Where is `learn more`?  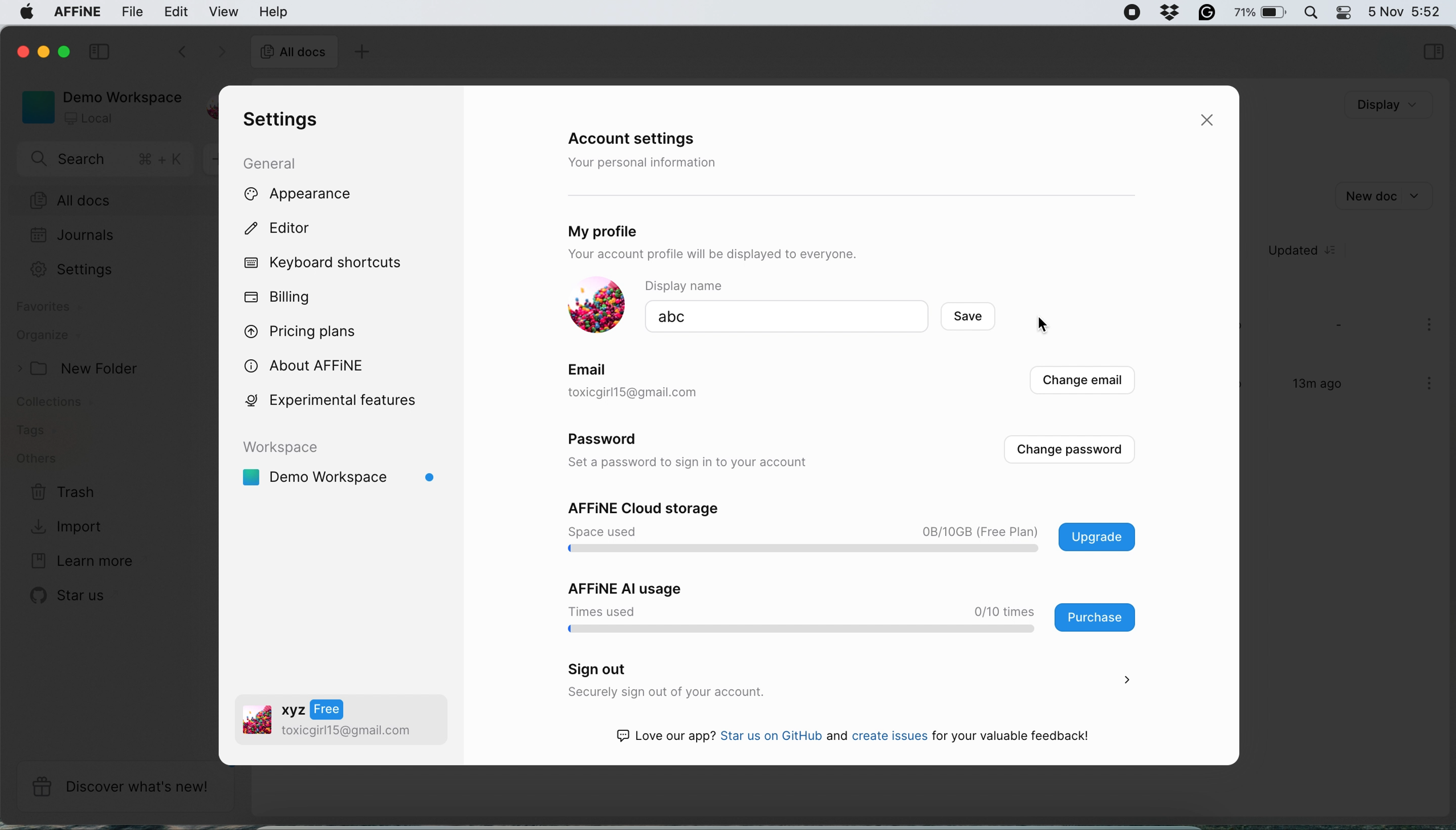 learn more is located at coordinates (79, 562).